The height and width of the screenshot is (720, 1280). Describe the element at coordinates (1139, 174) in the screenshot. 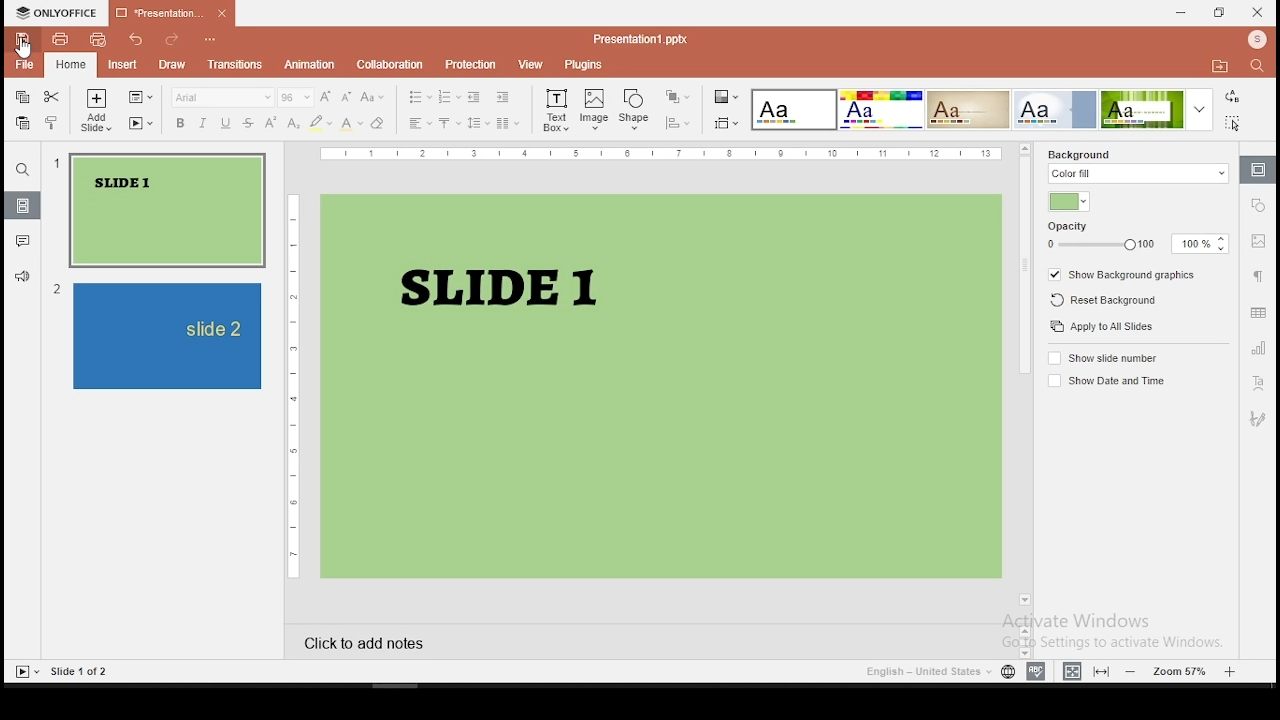

I see `color fill` at that location.